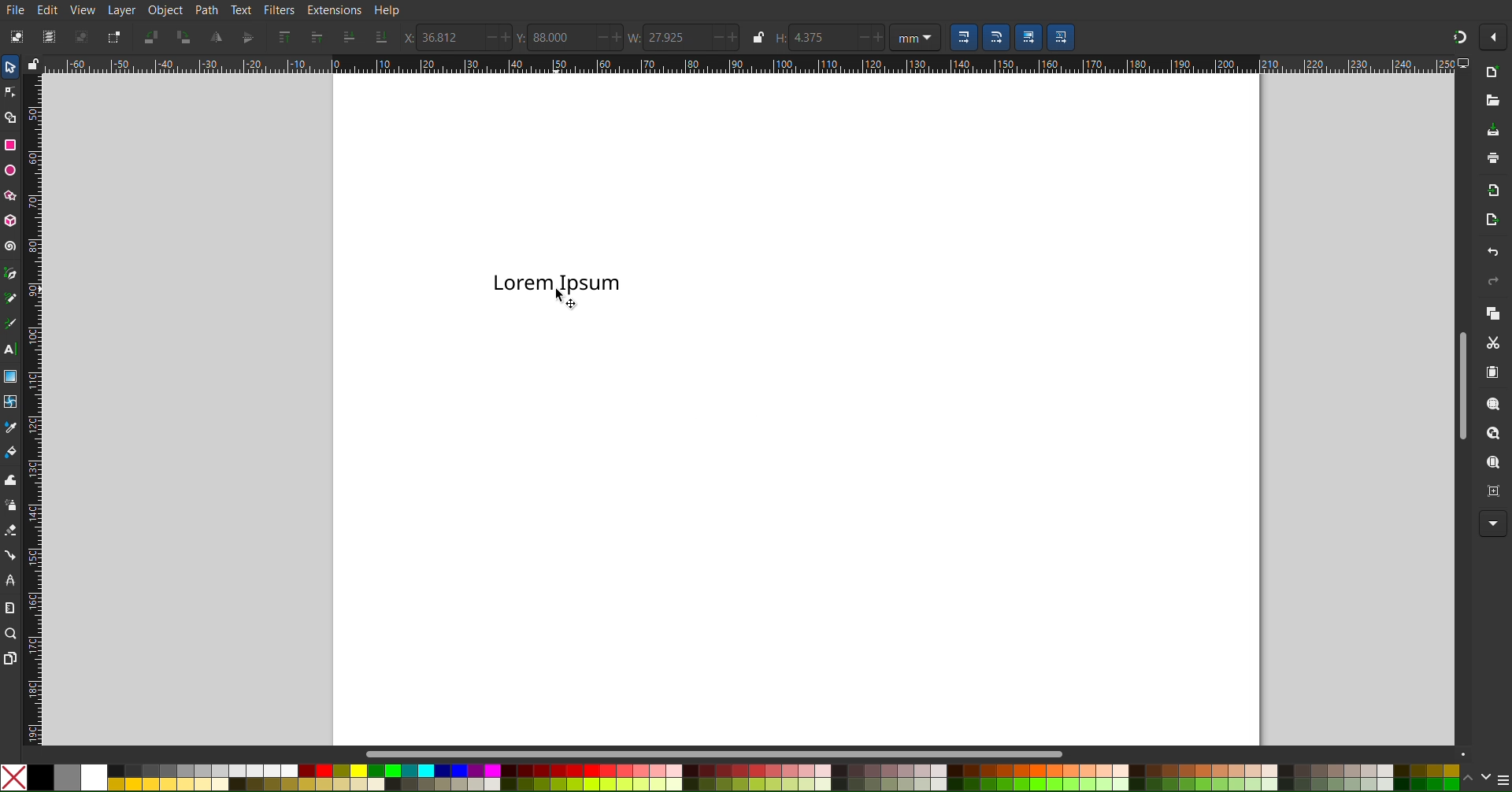 The width and height of the screenshot is (1512, 792). I want to click on View, so click(83, 10).